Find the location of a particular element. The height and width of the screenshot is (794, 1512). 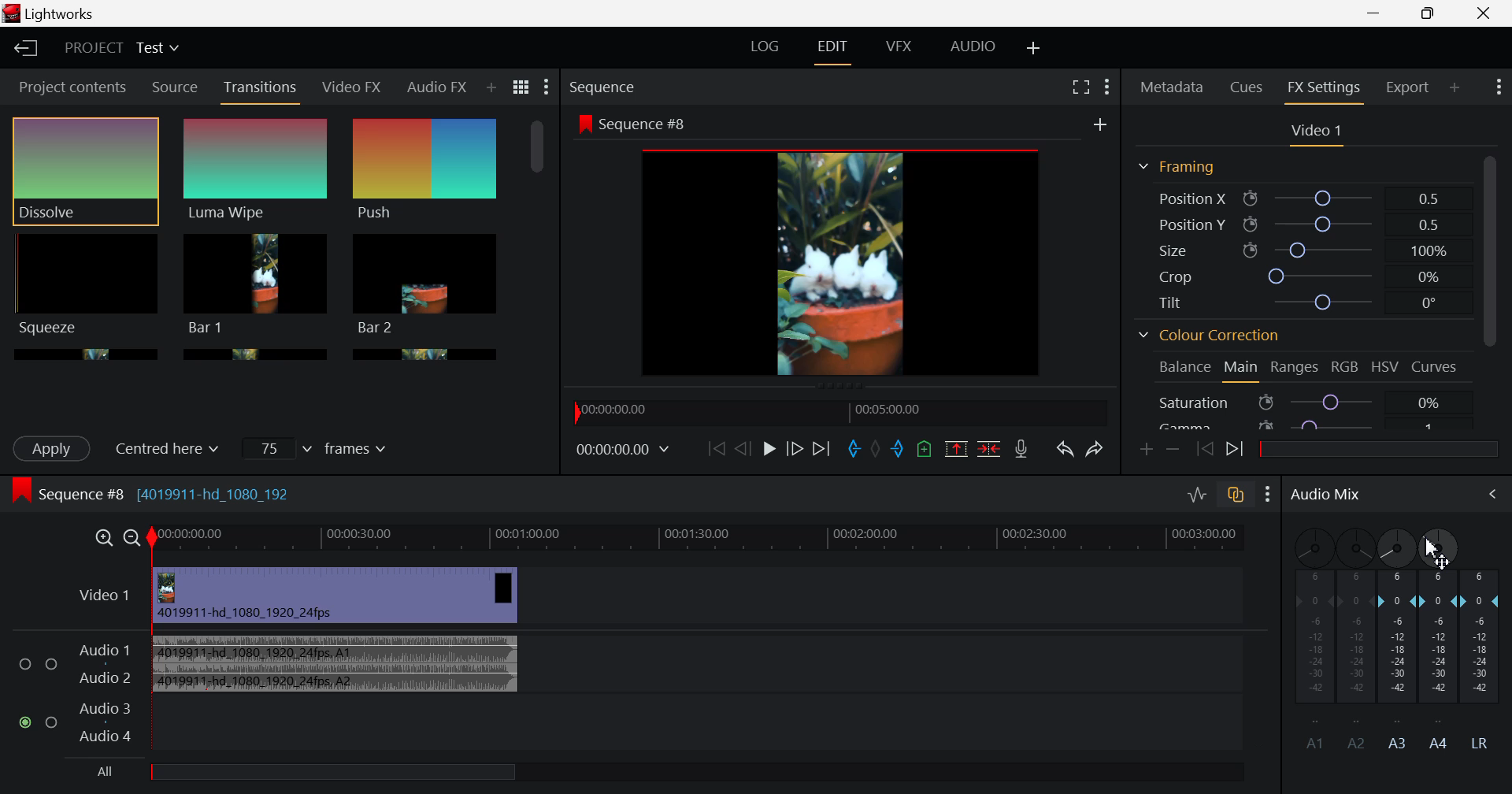

Cues is located at coordinates (1247, 87).